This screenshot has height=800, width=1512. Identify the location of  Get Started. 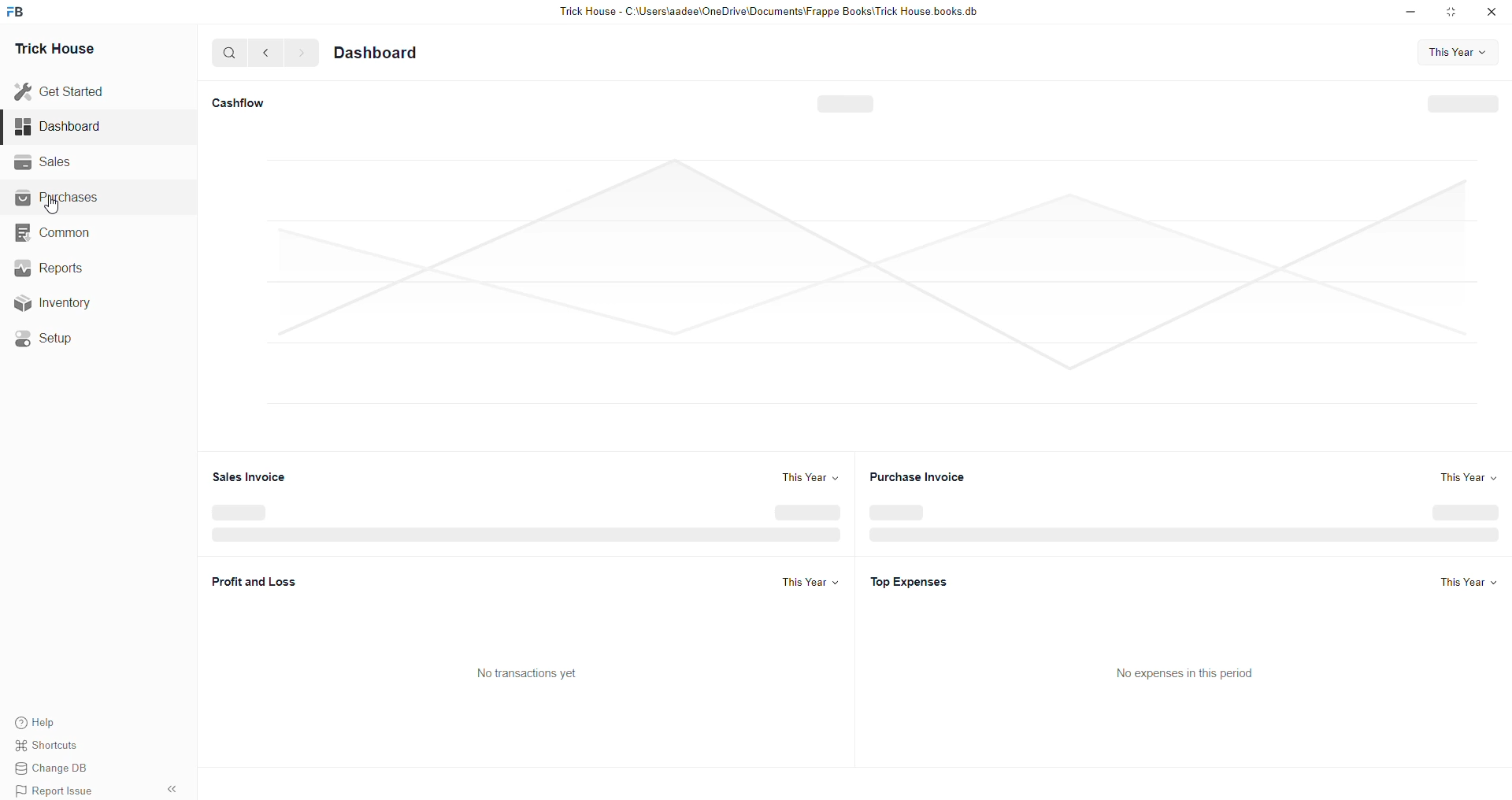
(60, 90).